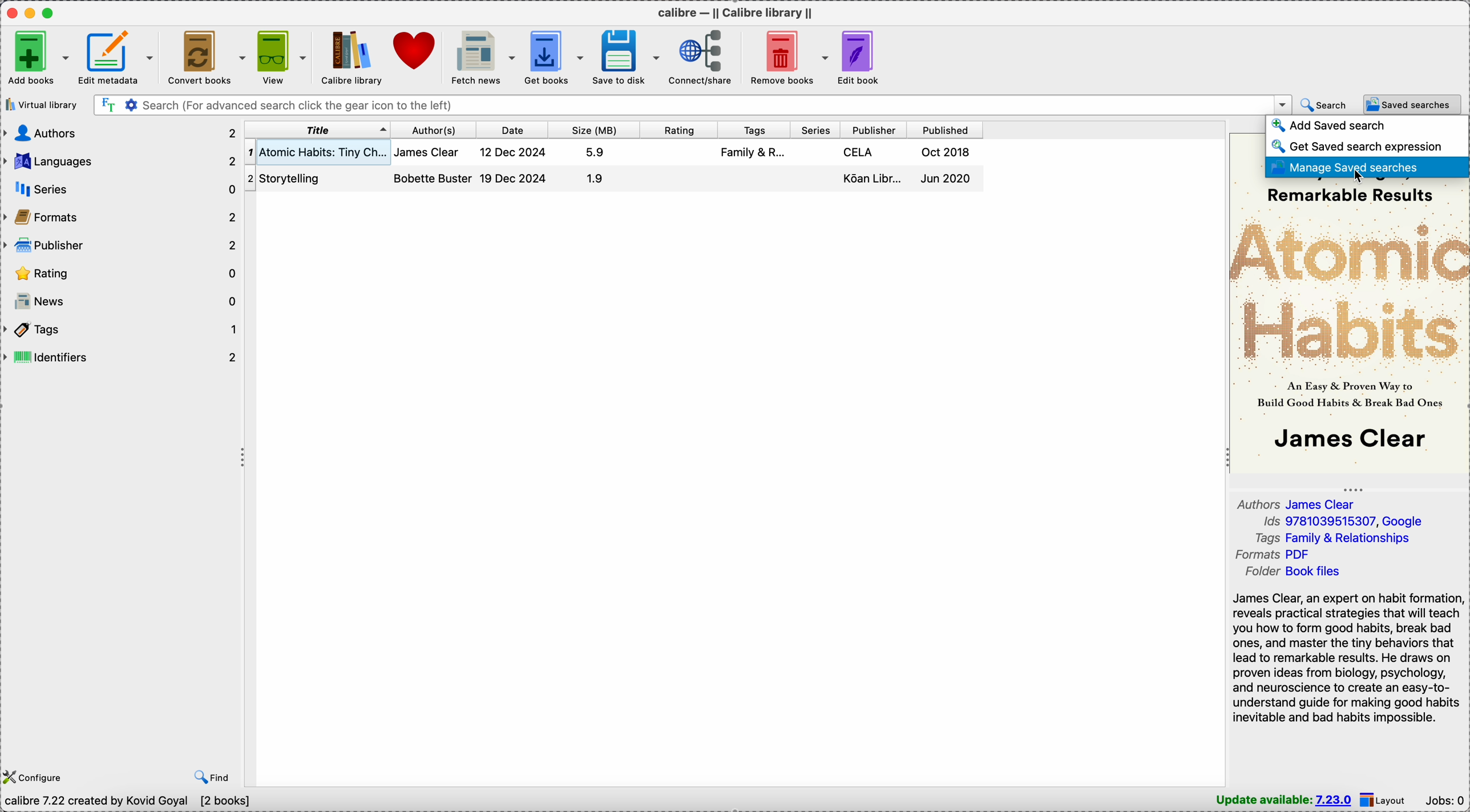  What do you see at coordinates (430, 131) in the screenshot?
I see `author(s)` at bounding box center [430, 131].